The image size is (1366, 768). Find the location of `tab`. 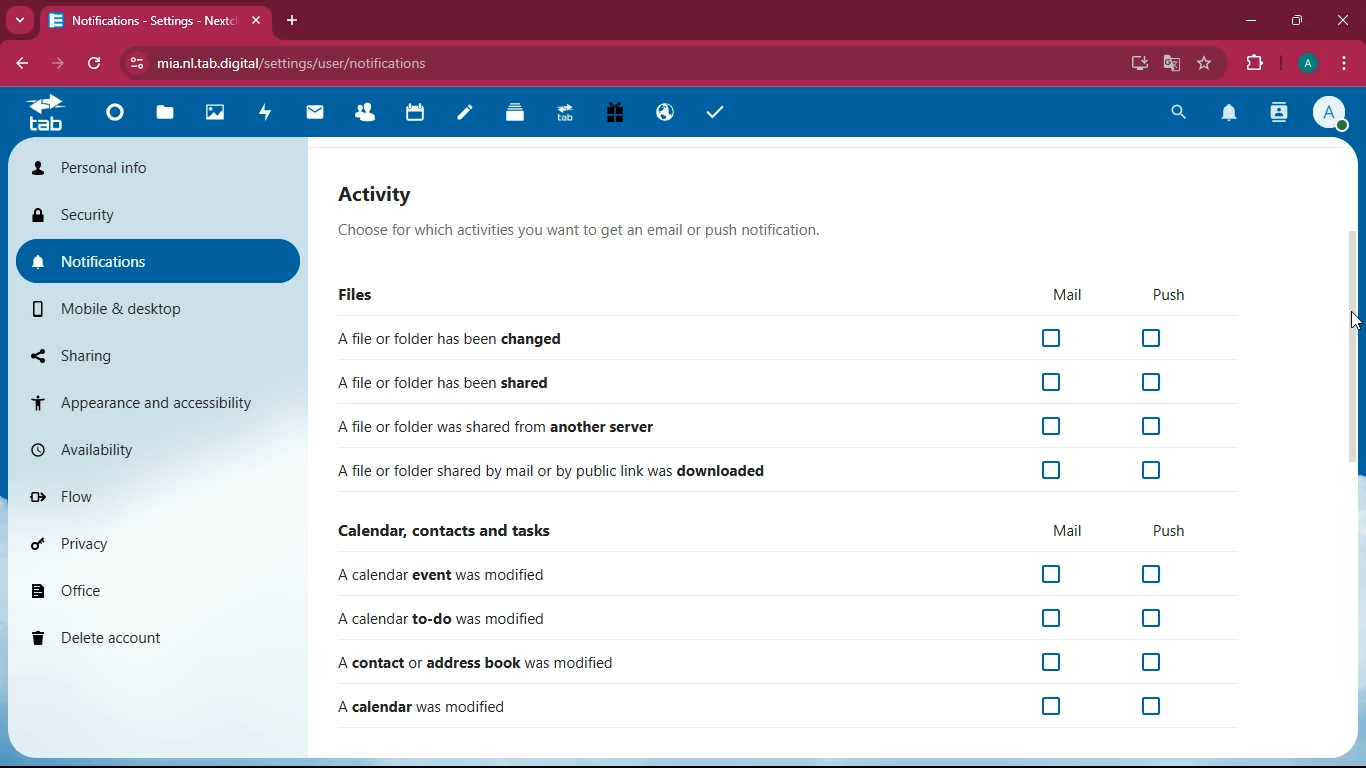

tab is located at coordinates (50, 114).